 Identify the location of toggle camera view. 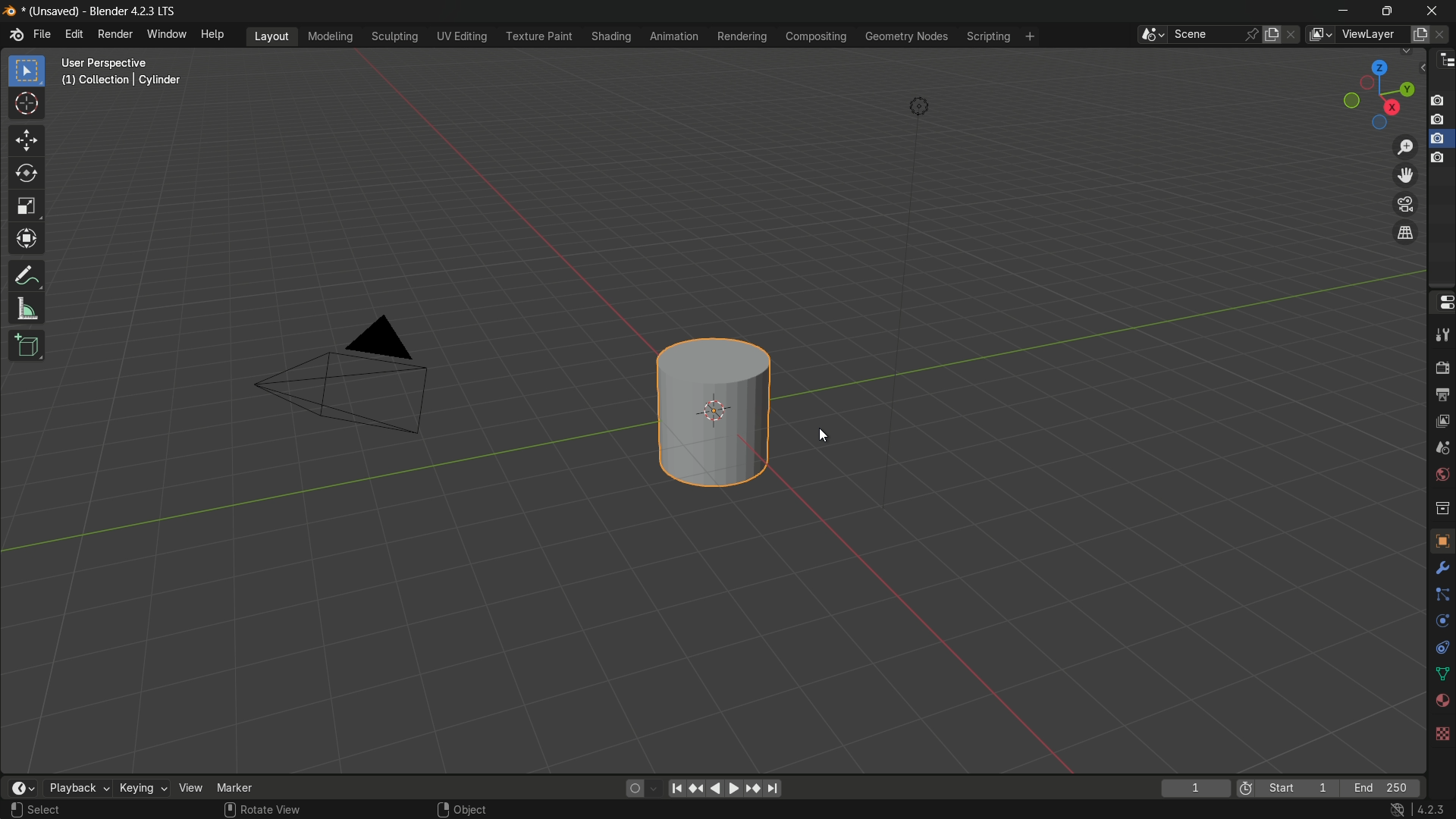
(1404, 202).